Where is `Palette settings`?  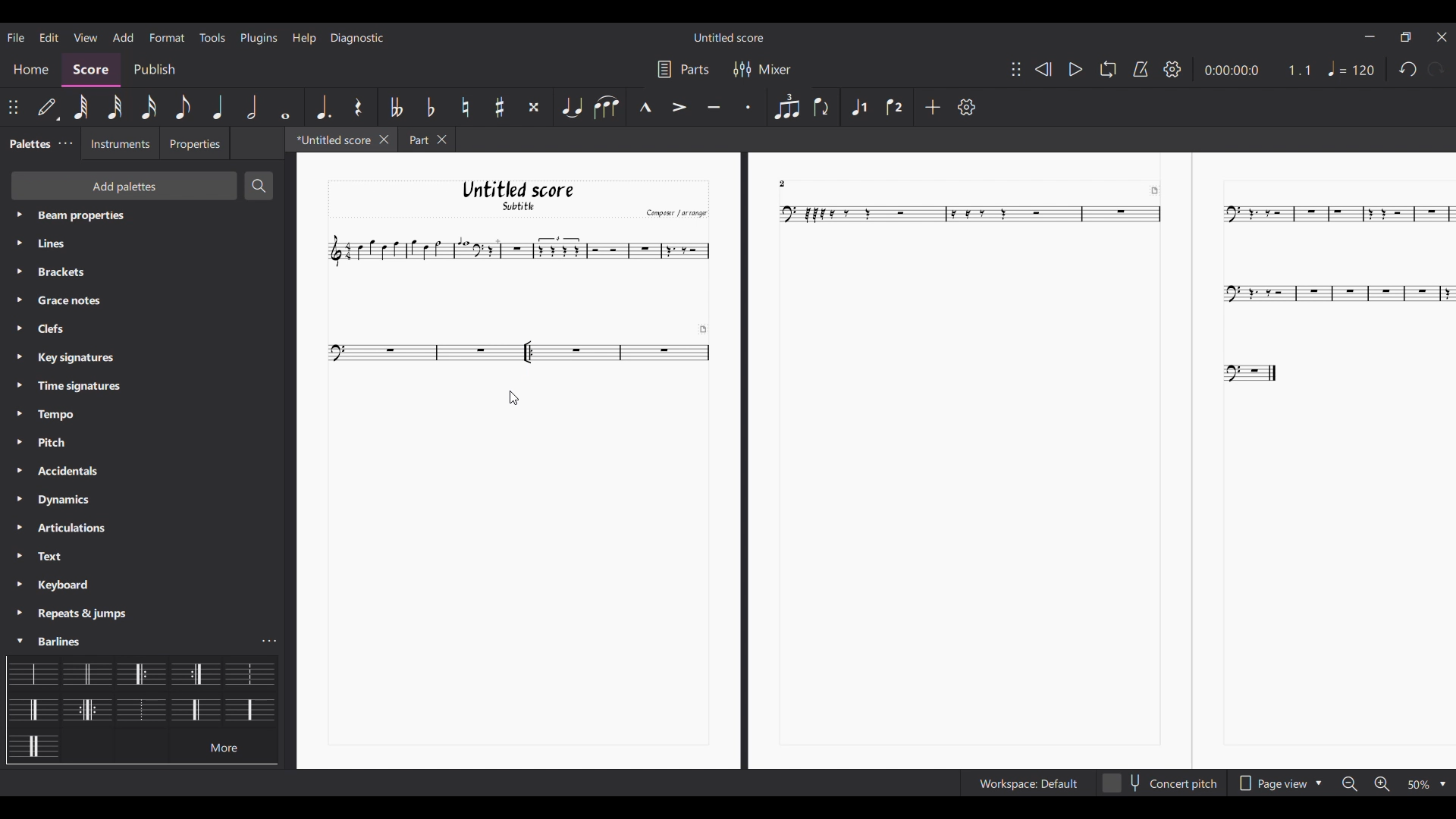 Palette settings is located at coordinates (52, 639).